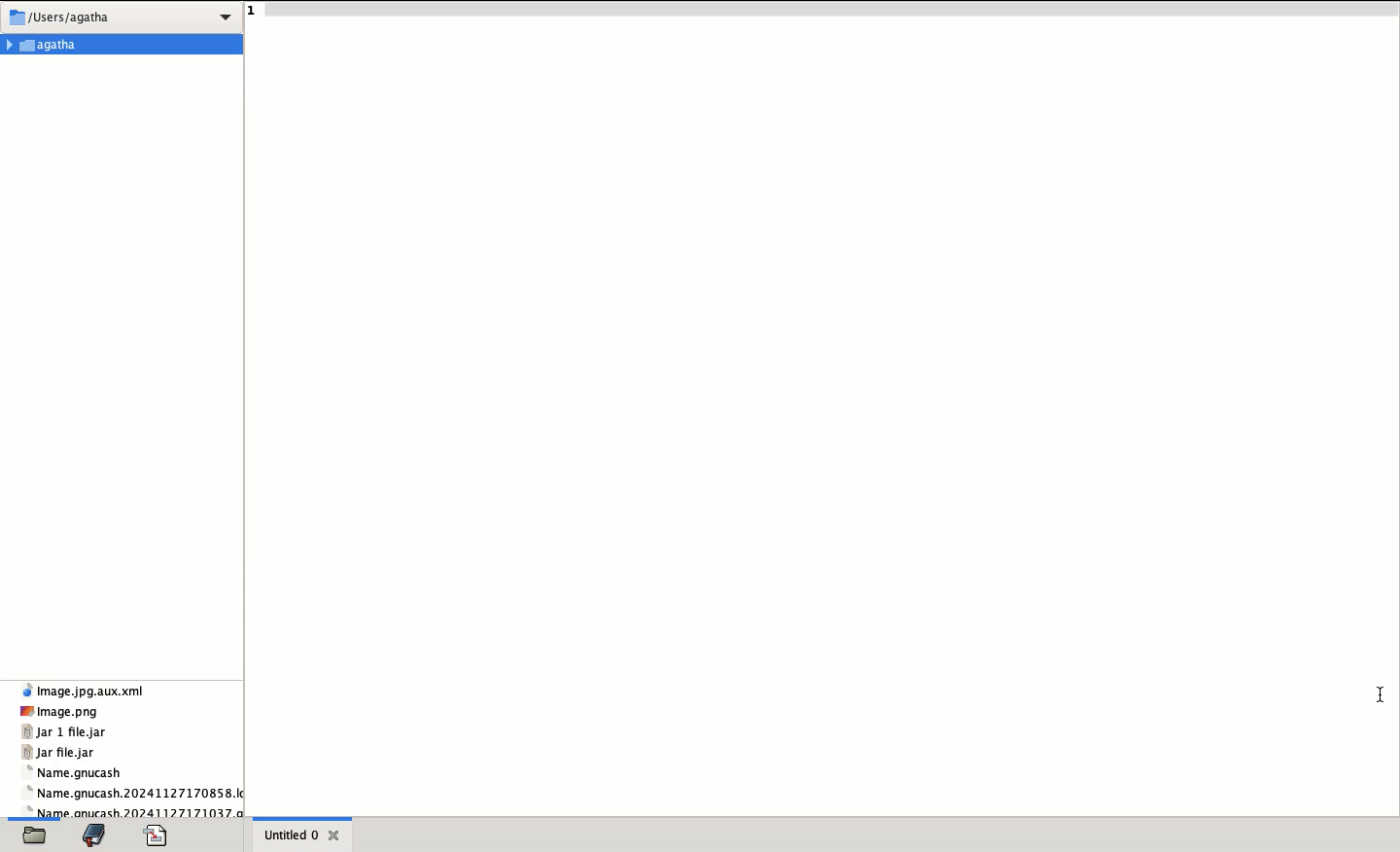  Describe the element at coordinates (80, 692) in the screenshot. I see `image.jpg.aux.xml` at that location.